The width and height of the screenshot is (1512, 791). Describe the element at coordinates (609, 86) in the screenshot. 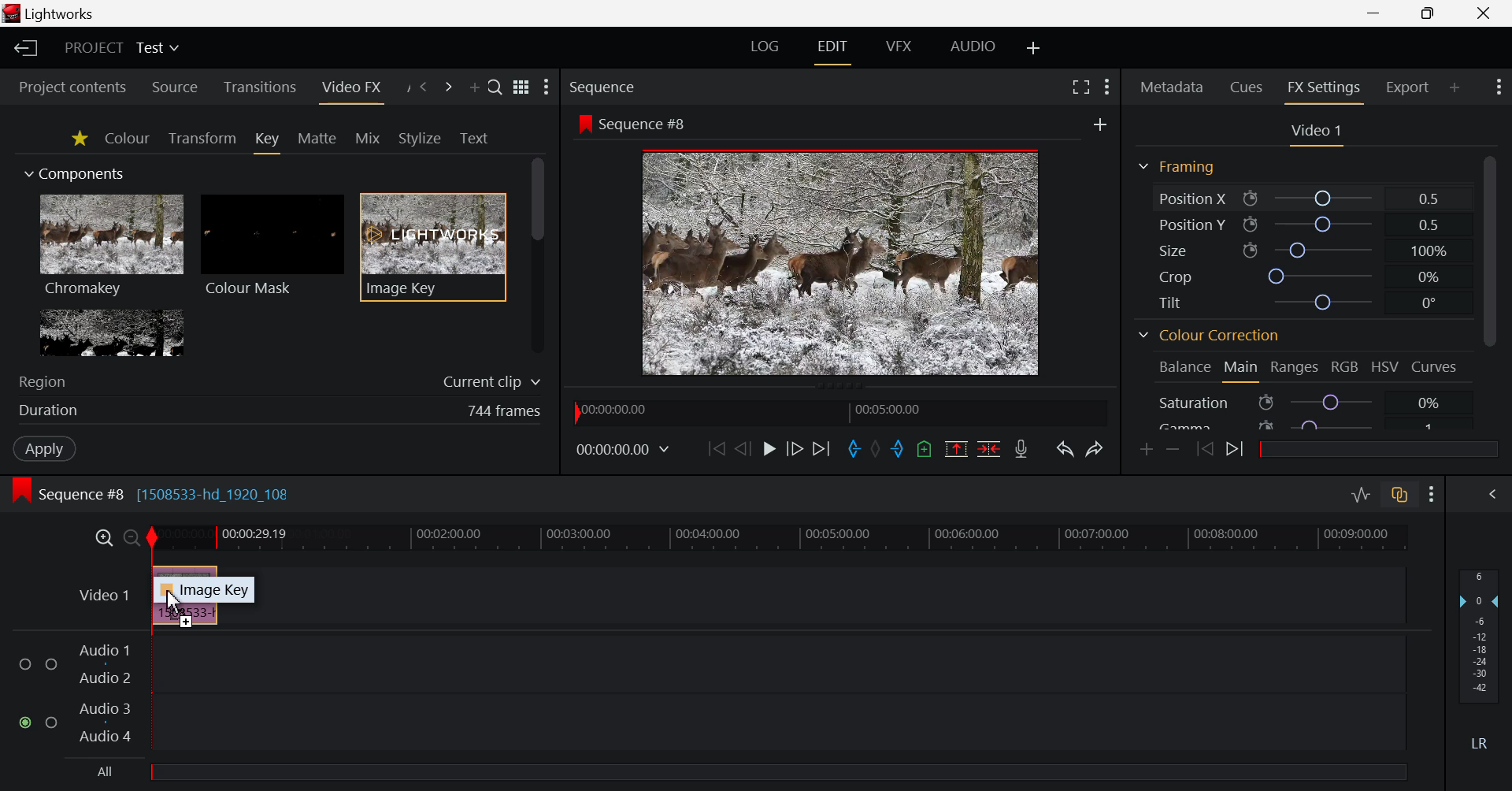

I see `Sequence Preview Section` at that location.